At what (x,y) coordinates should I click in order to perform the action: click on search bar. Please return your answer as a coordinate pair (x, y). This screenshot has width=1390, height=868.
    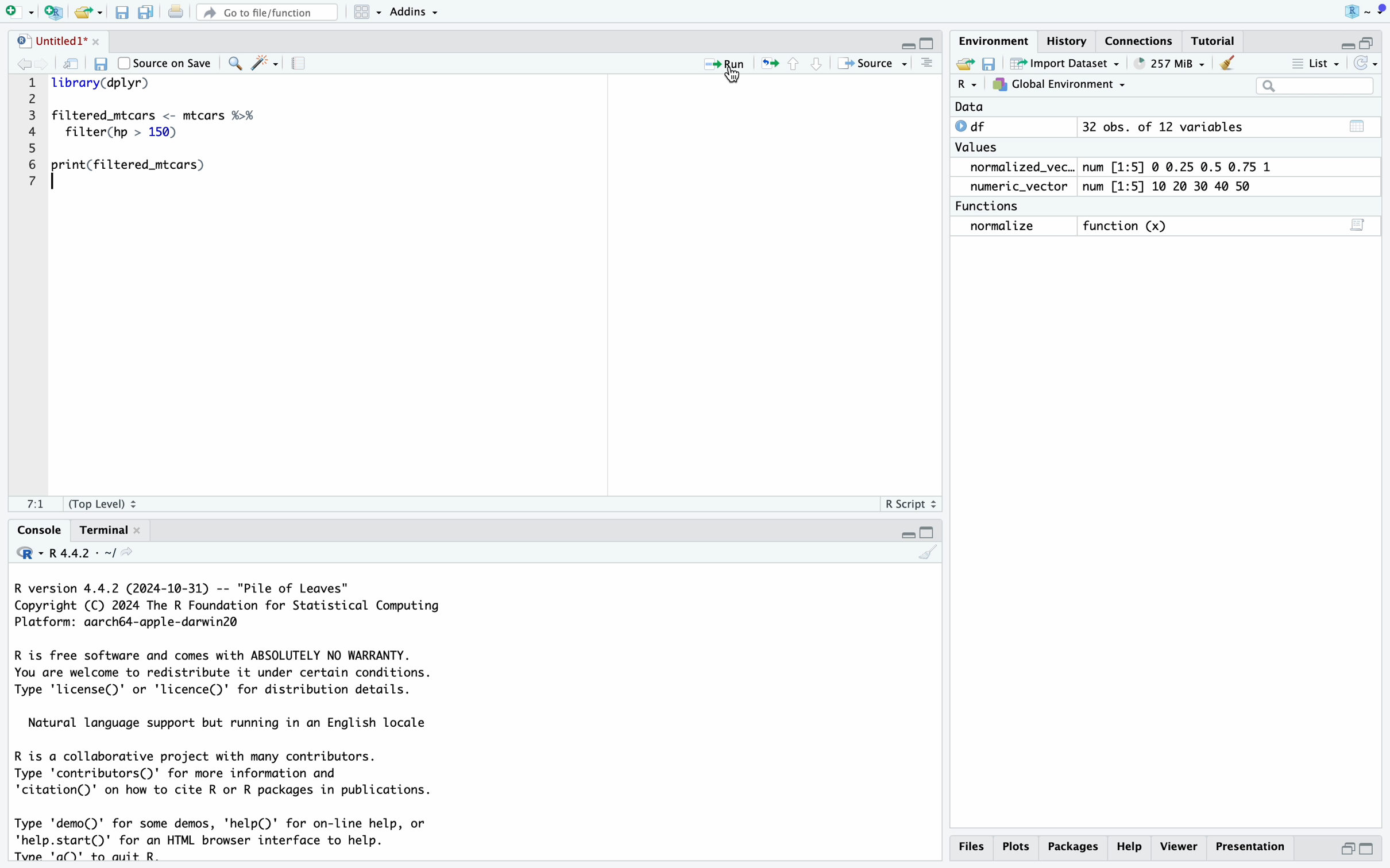
    Looking at the image, I should click on (1316, 87).